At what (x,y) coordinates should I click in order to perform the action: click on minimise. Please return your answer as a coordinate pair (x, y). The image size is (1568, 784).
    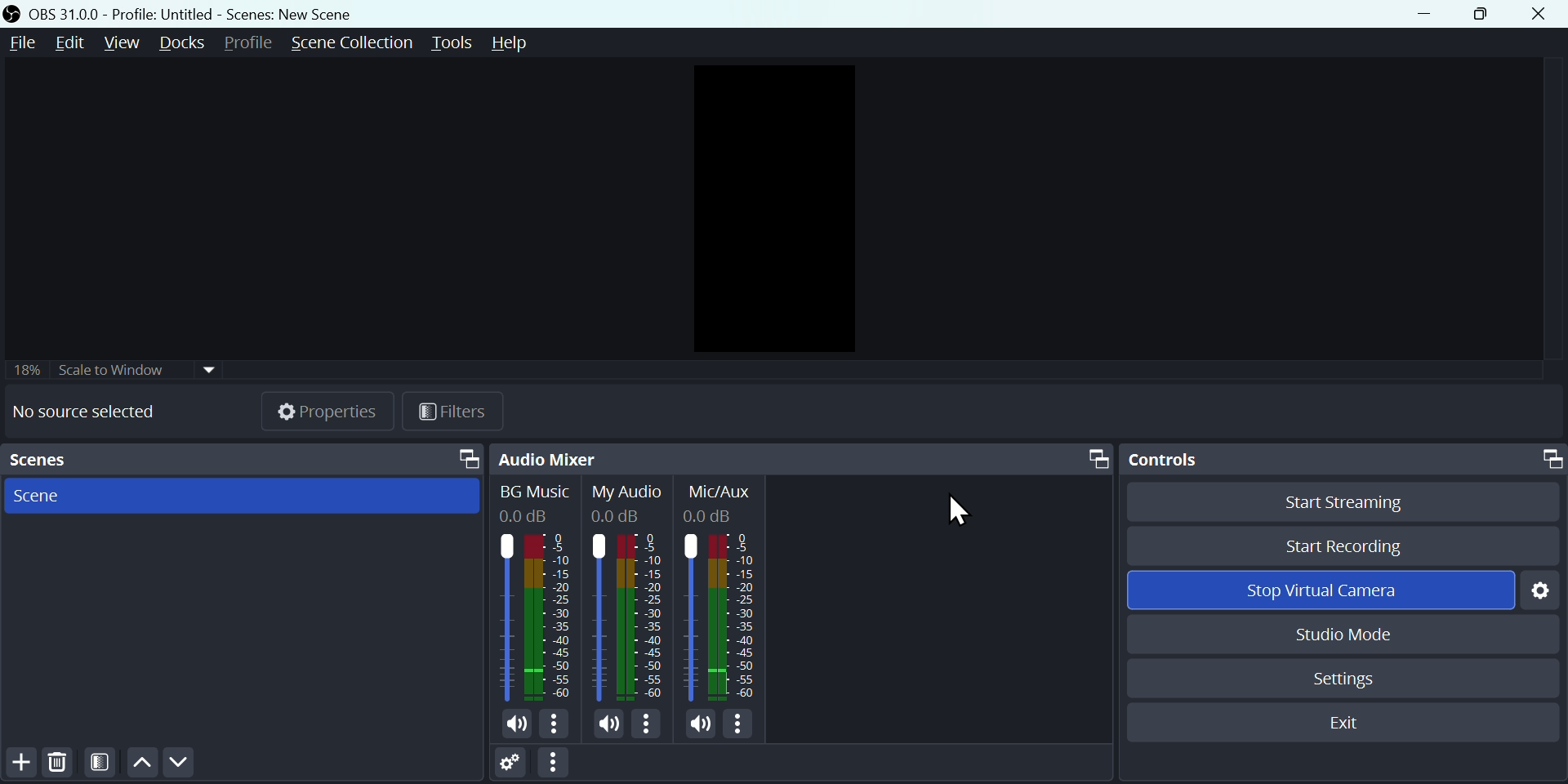
    Looking at the image, I should click on (1427, 15).